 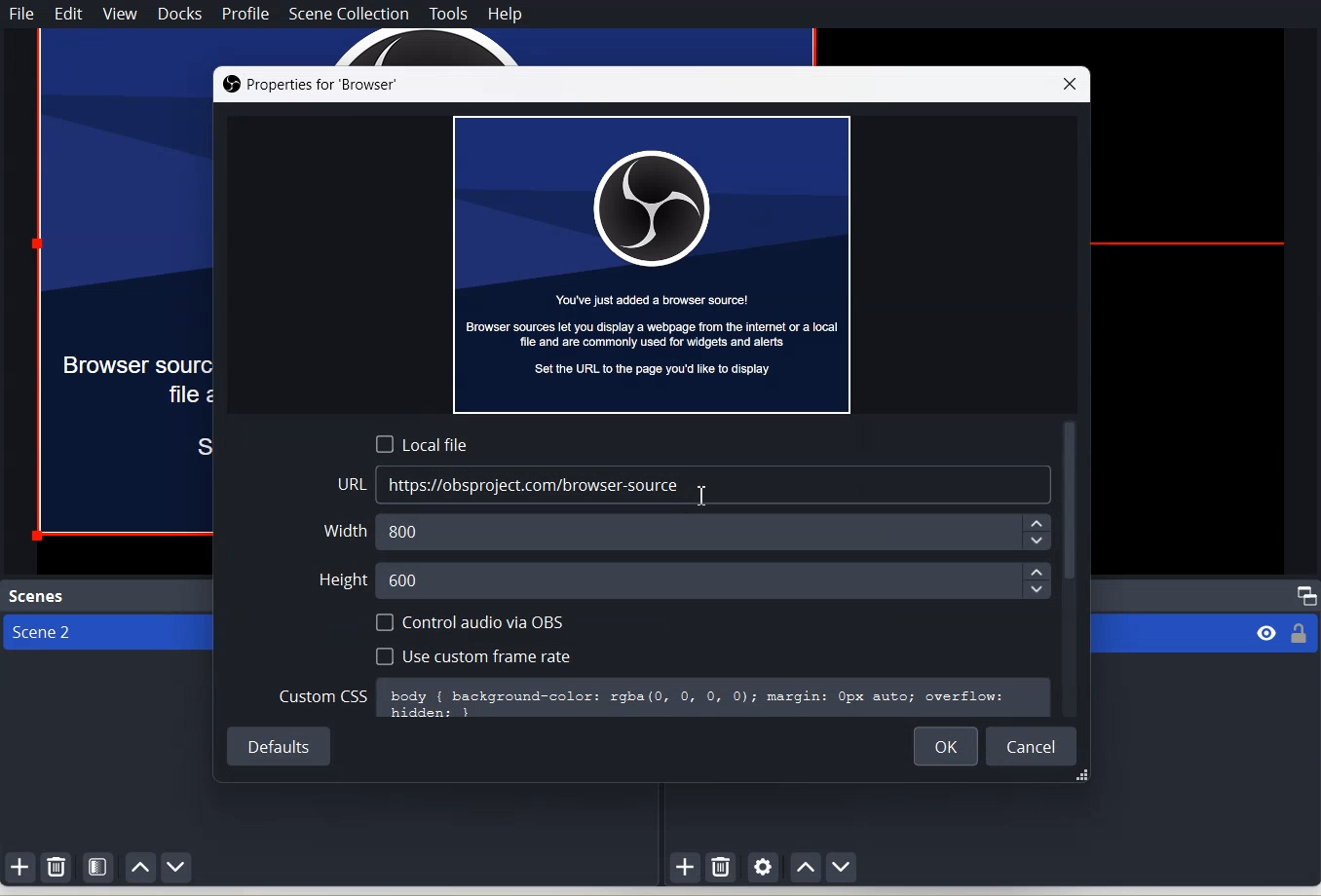 What do you see at coordinates (652, 269) in the screenshot?
I see `You've just added a browser source!
Browser sources let you display a webpage from the internet or a local
fle and are commonly used for widgets and alerts
Set the URL to the page you'd lke to display` at bounding box center [652, 269].